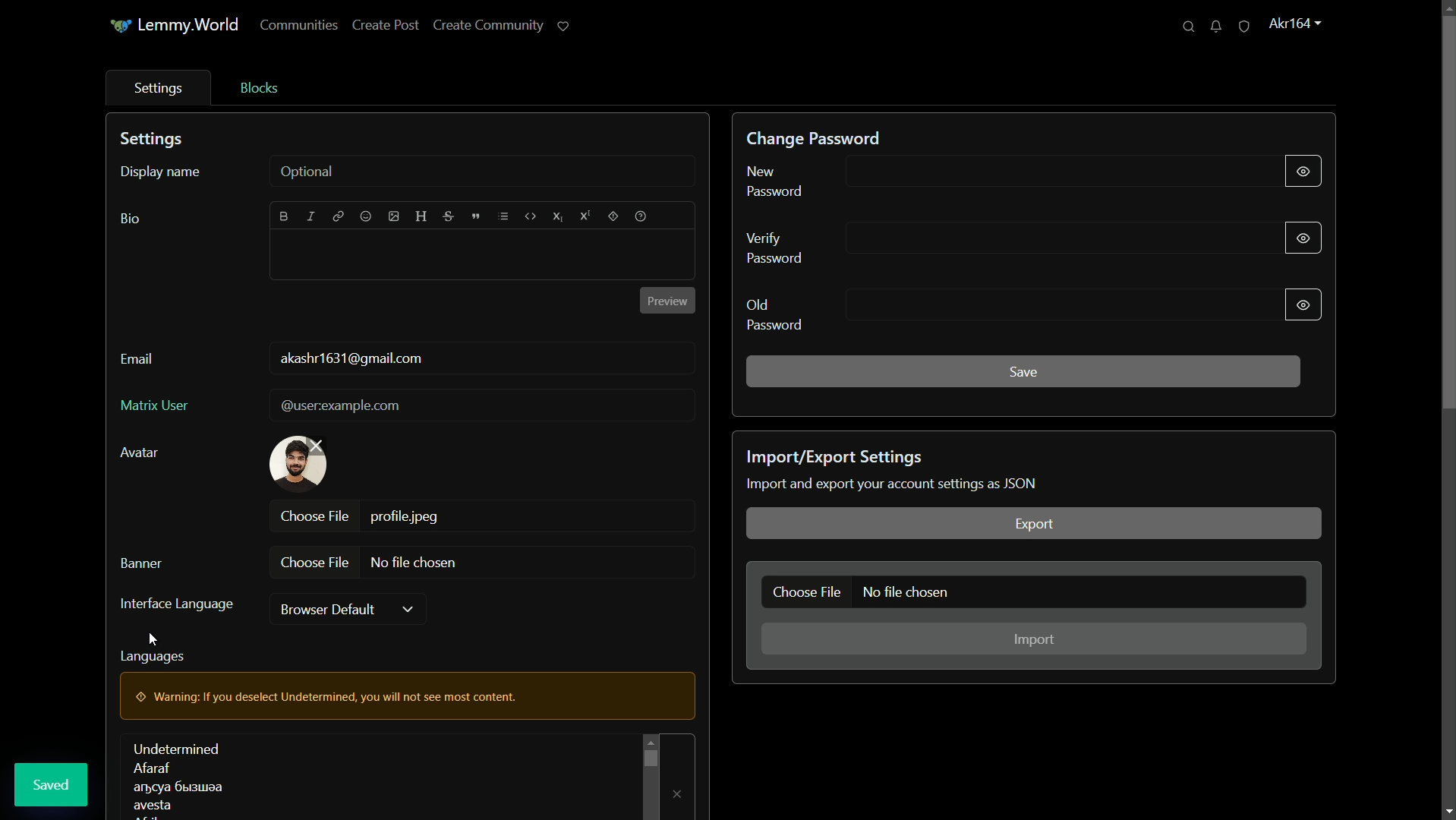  What do you see at coordinates (364, 217) in the screenshot?
I see `emoji` at bounding box center [364, 217].